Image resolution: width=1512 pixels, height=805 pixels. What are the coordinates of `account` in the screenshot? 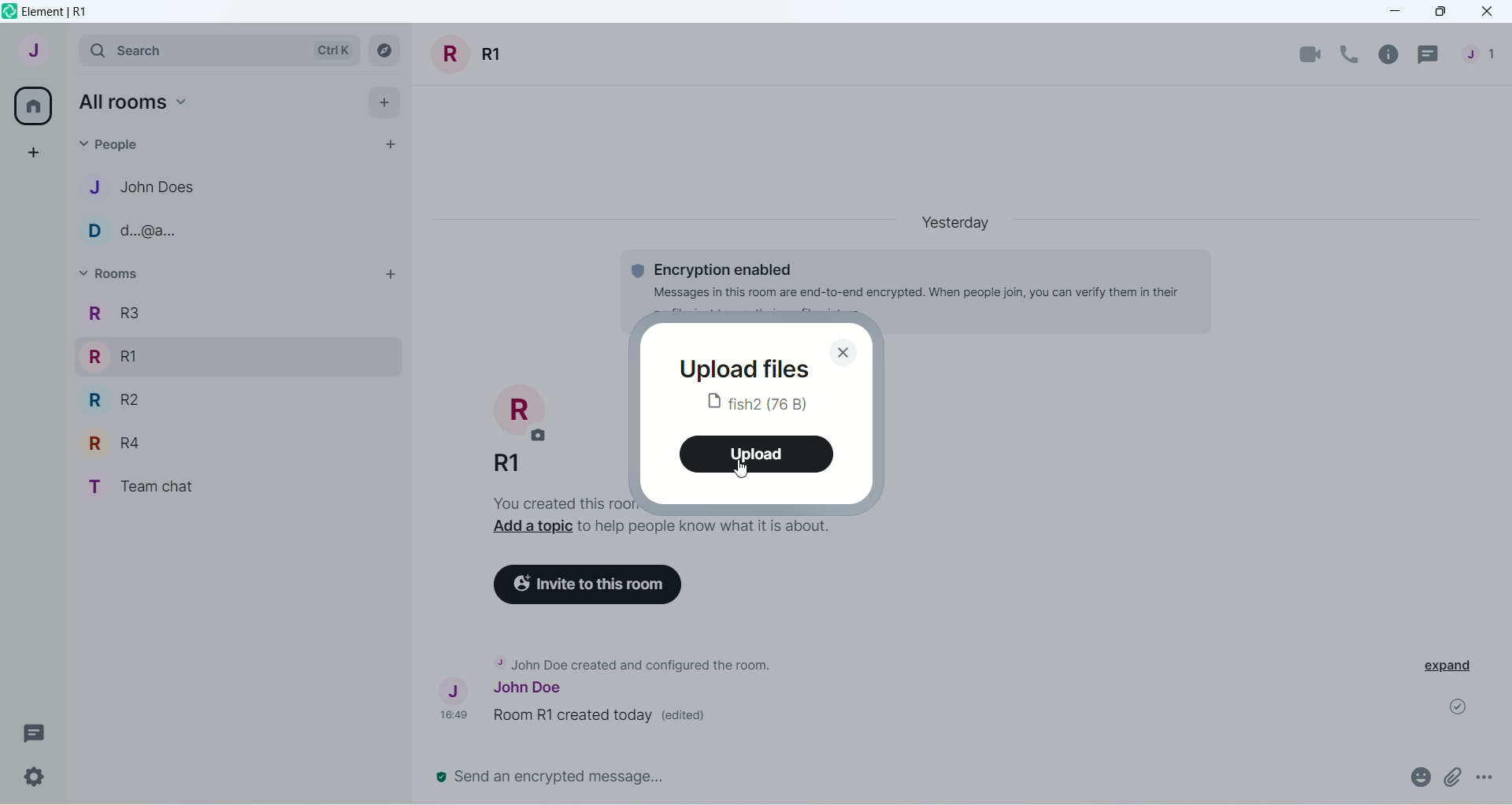 It's located at (34, 53).